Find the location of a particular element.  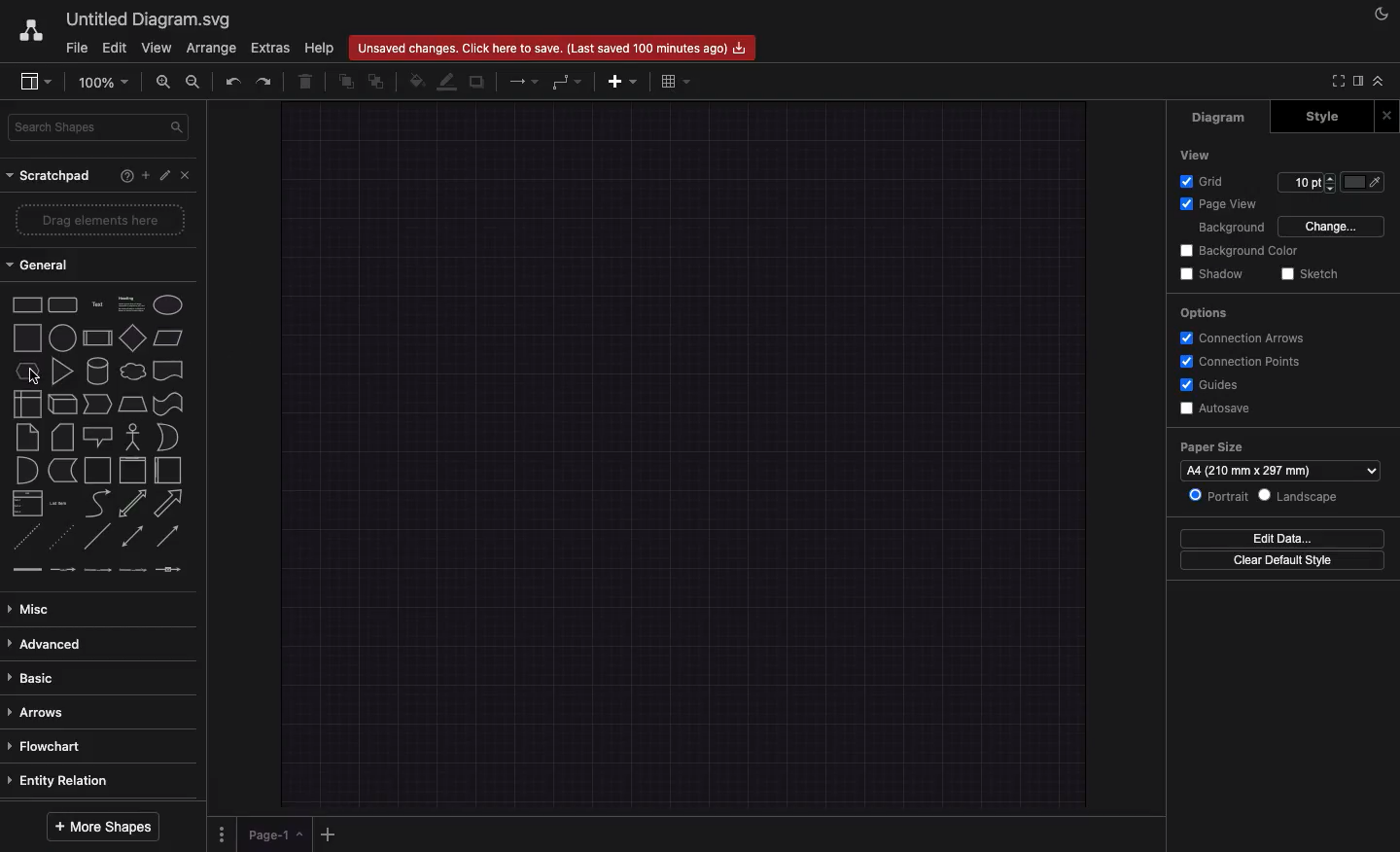

General  is located at coordinates (41, 263).